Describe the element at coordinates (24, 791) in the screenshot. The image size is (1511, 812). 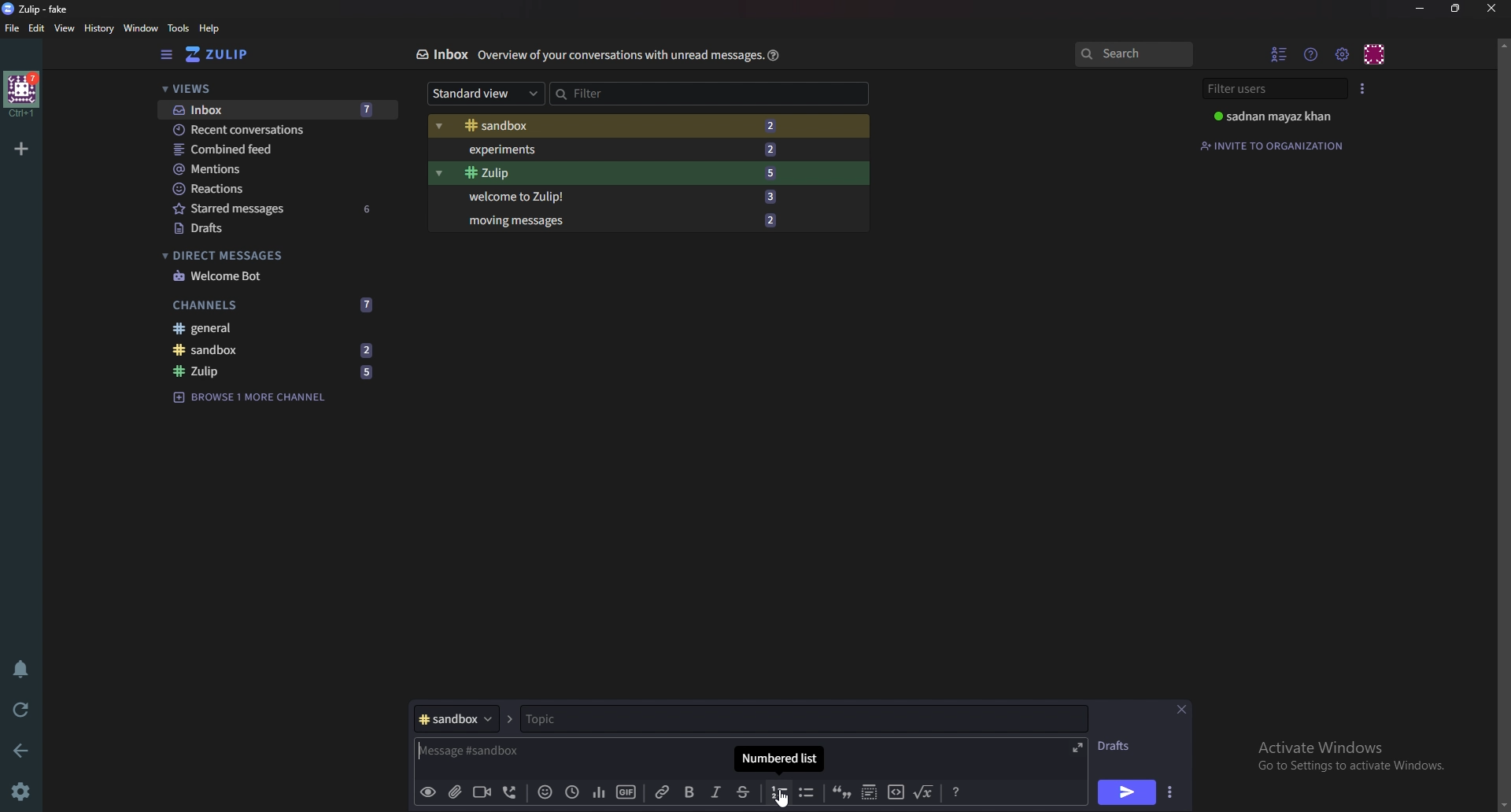
I see `Settings` at that location.